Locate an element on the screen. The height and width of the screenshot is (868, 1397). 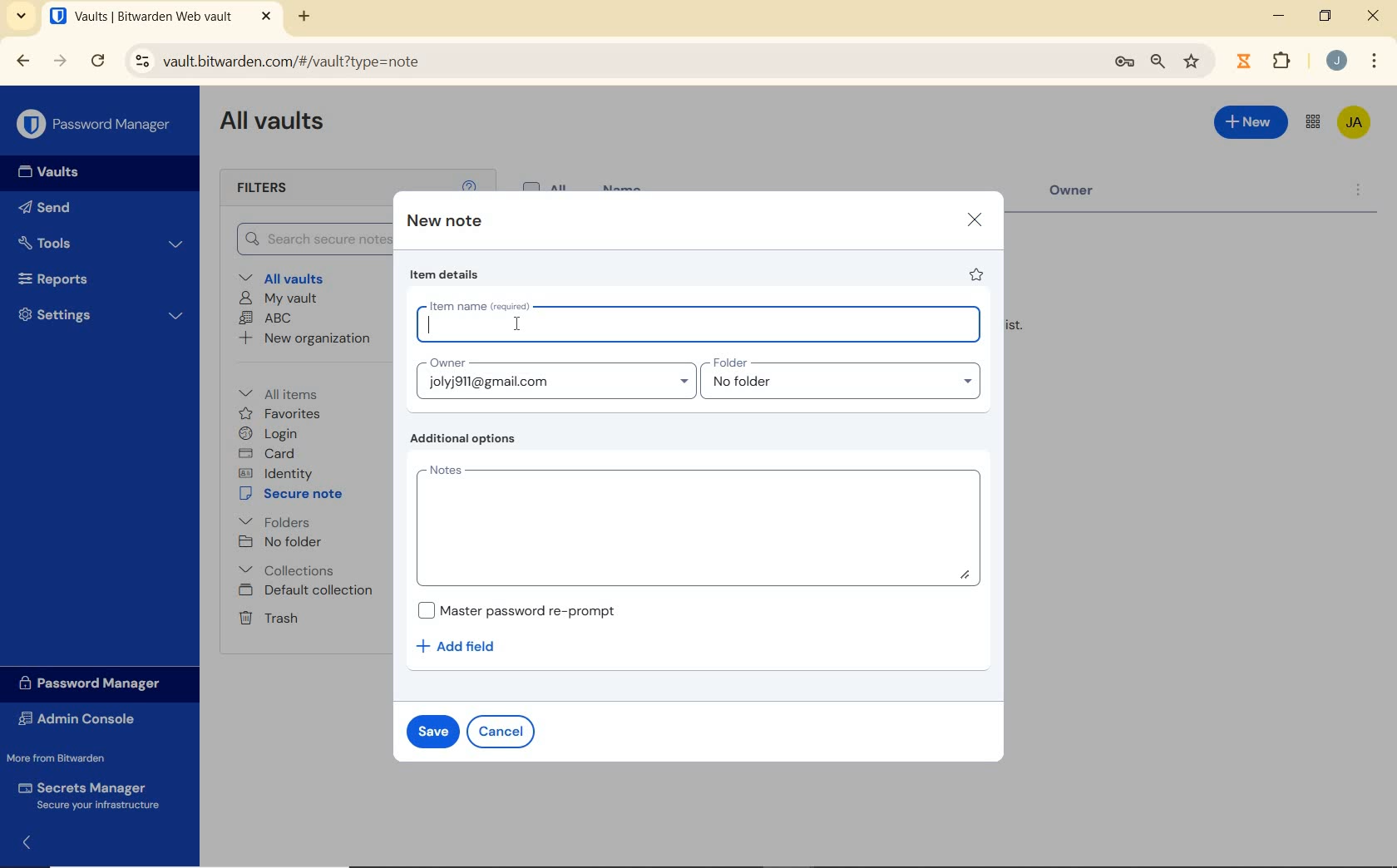
Master password re-prompt is located at coordinates (526, 609).